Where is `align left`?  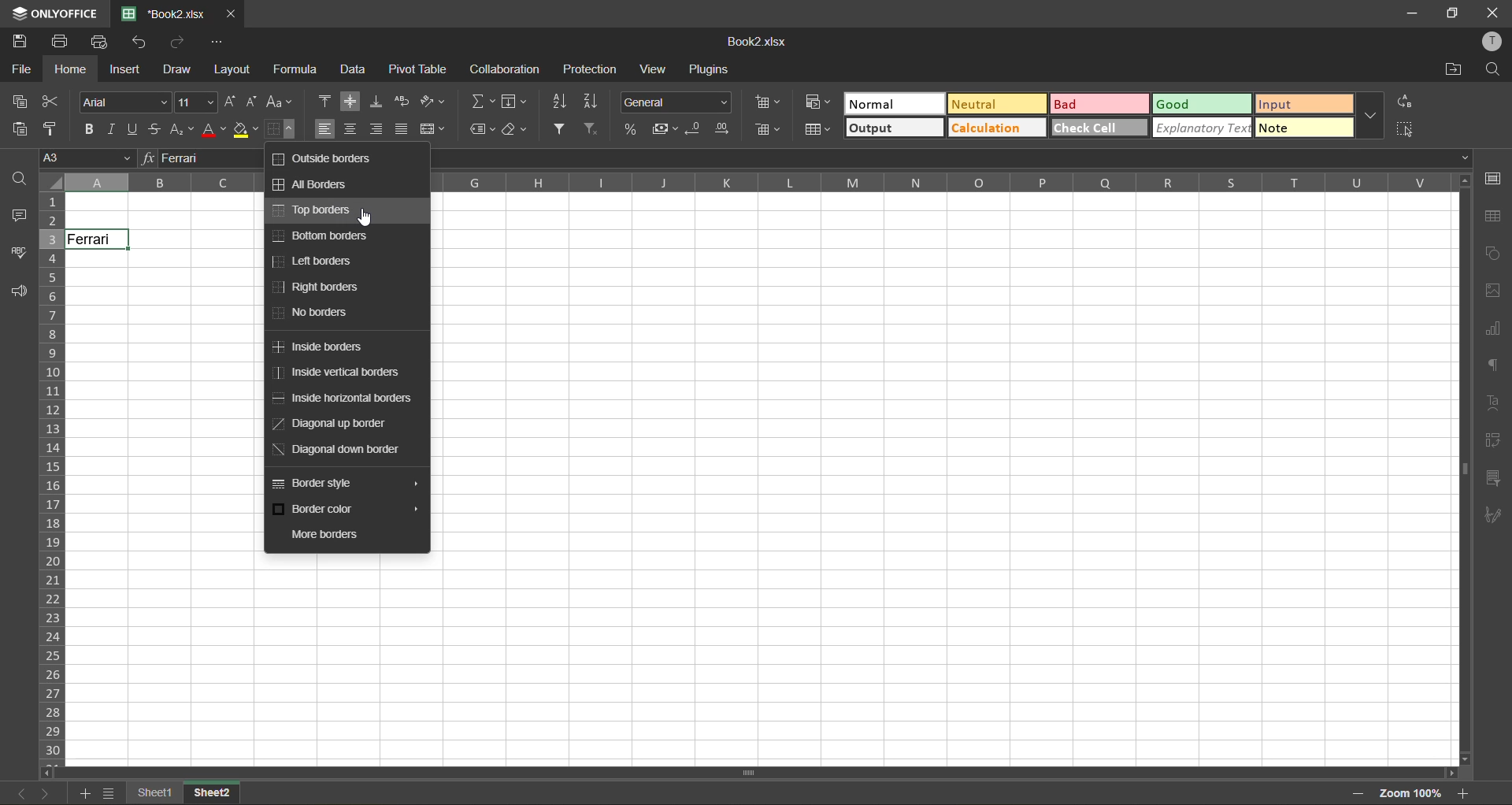
align left is located at coordinates (325, 129).